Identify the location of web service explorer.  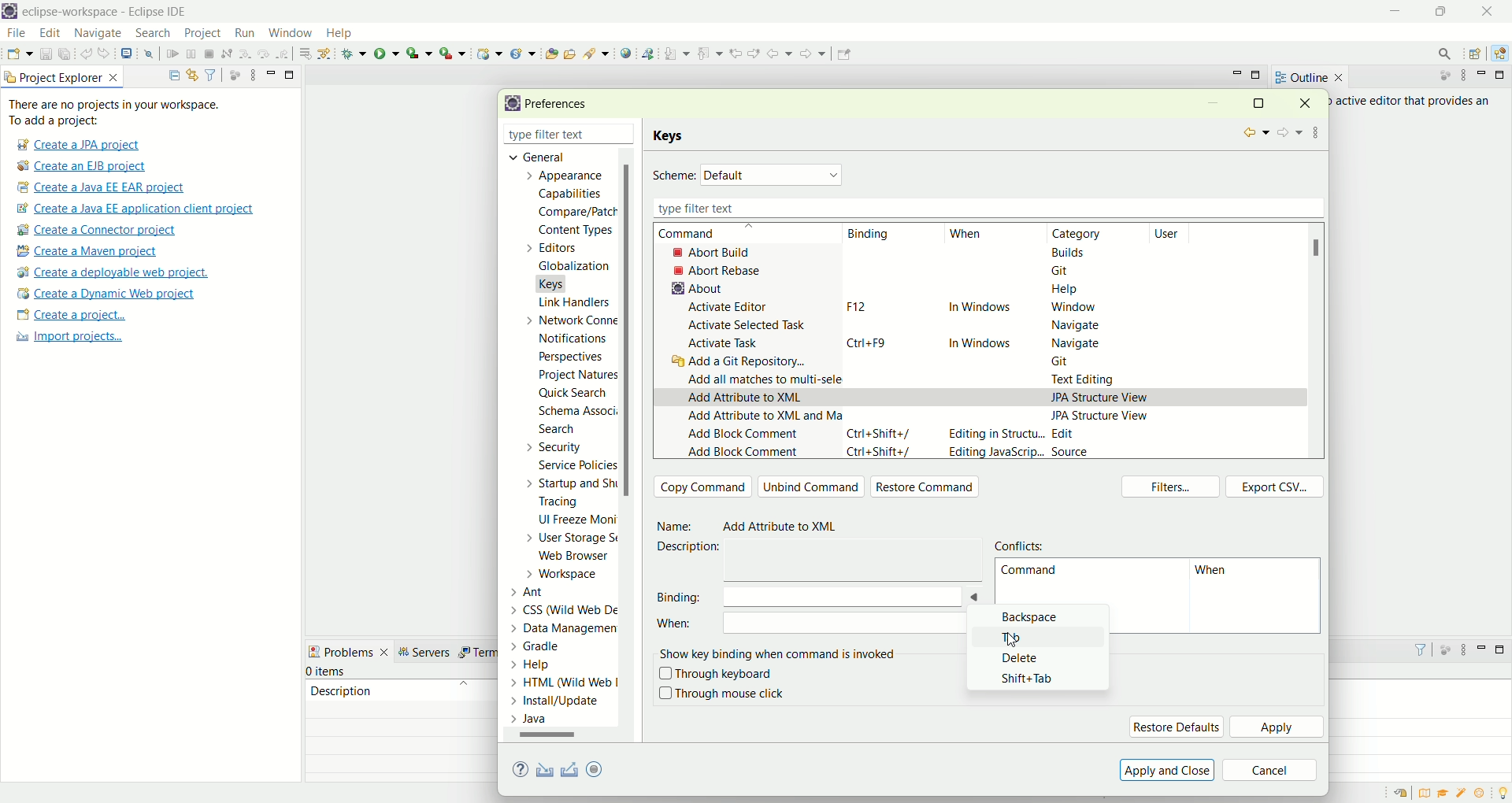
(647, 53).